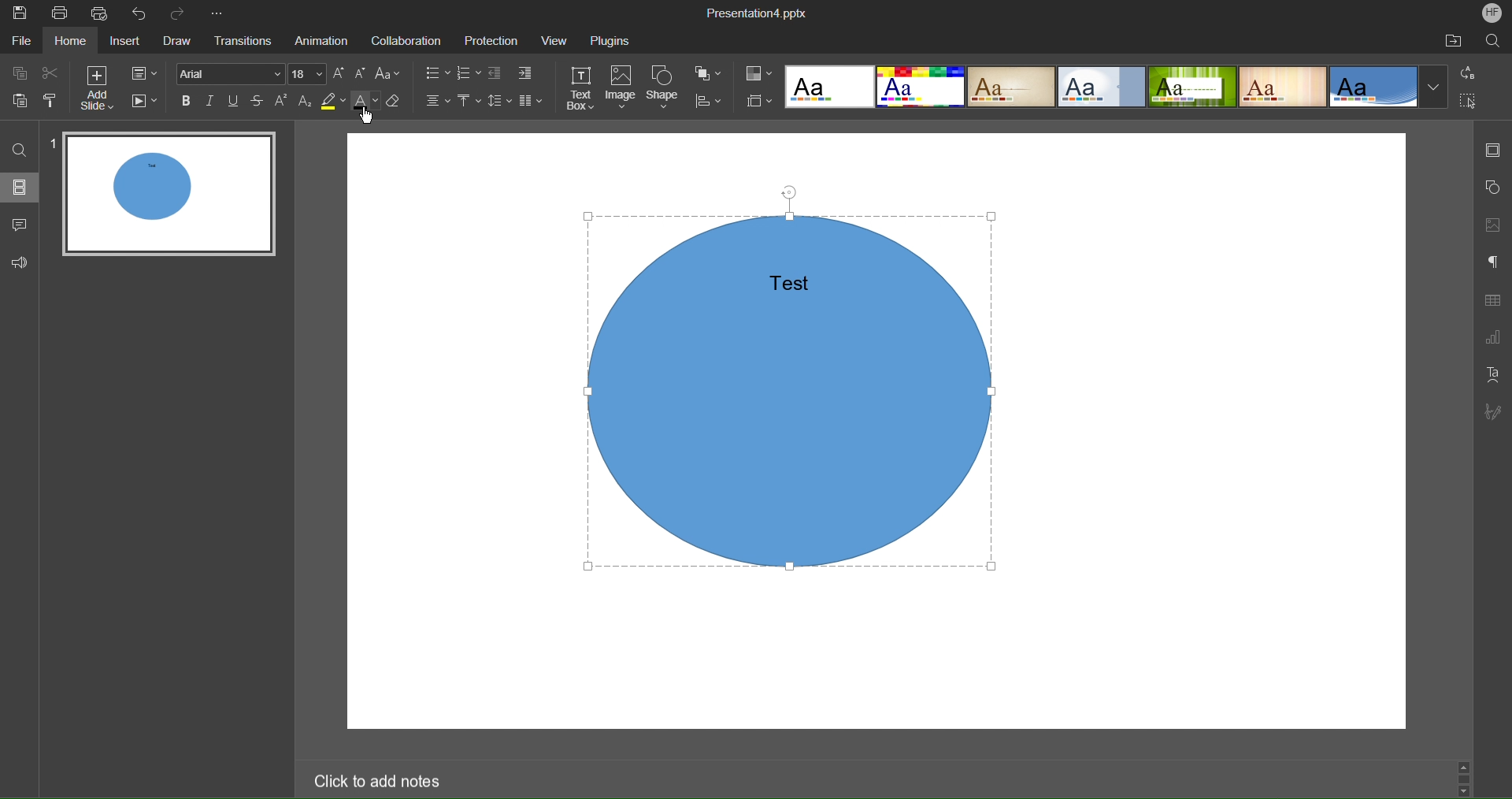 The width and height of the screenshot is (1512, 799). I want to click on Highlight, so click(331, 102).